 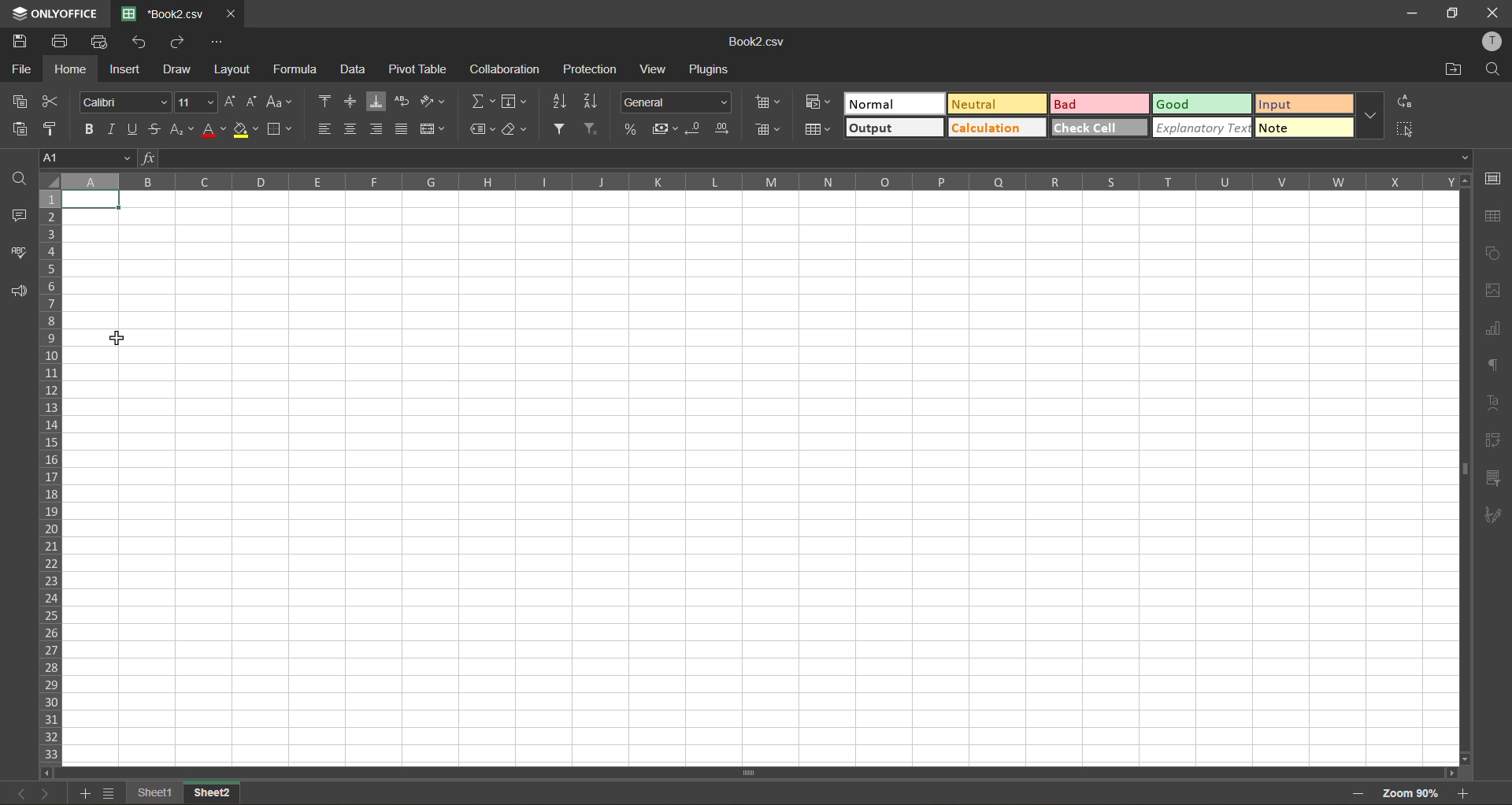 What do you see at coordinates (88, 156) in the screenshot?
I see `cell address` at bounding box center [88, 156].